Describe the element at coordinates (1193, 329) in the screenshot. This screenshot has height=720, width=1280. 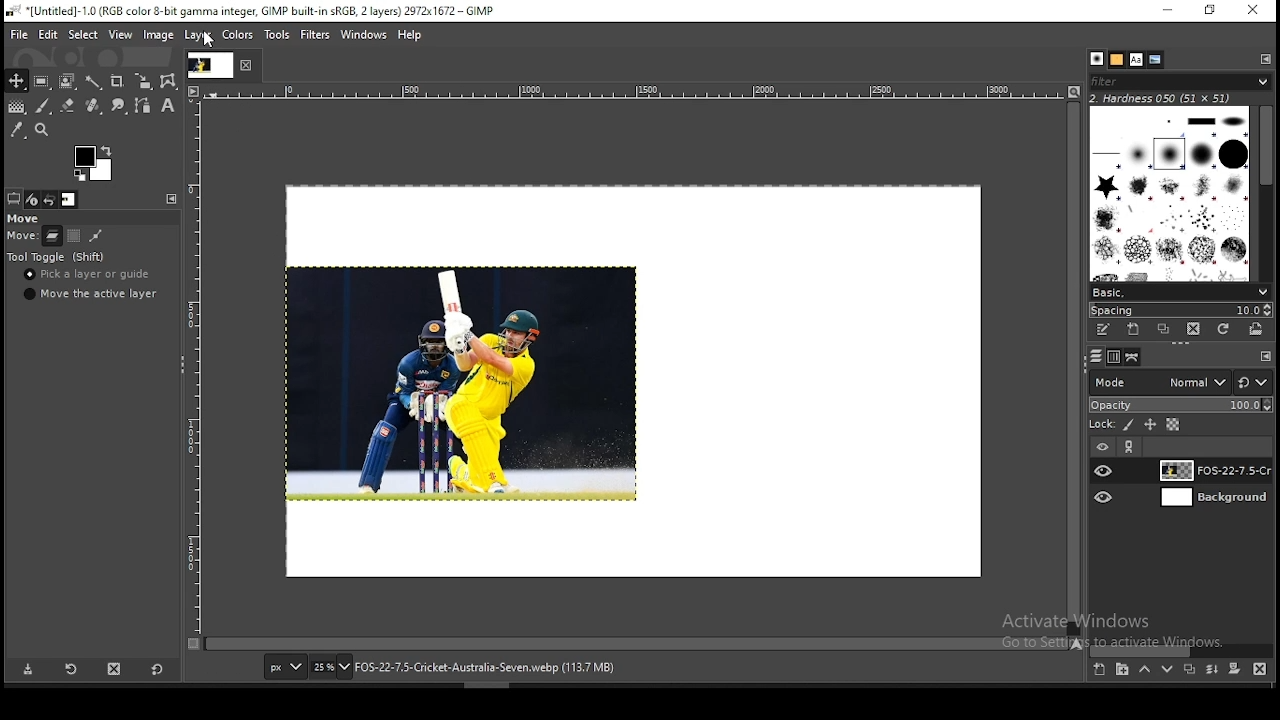
I see `delete brush` at that location.